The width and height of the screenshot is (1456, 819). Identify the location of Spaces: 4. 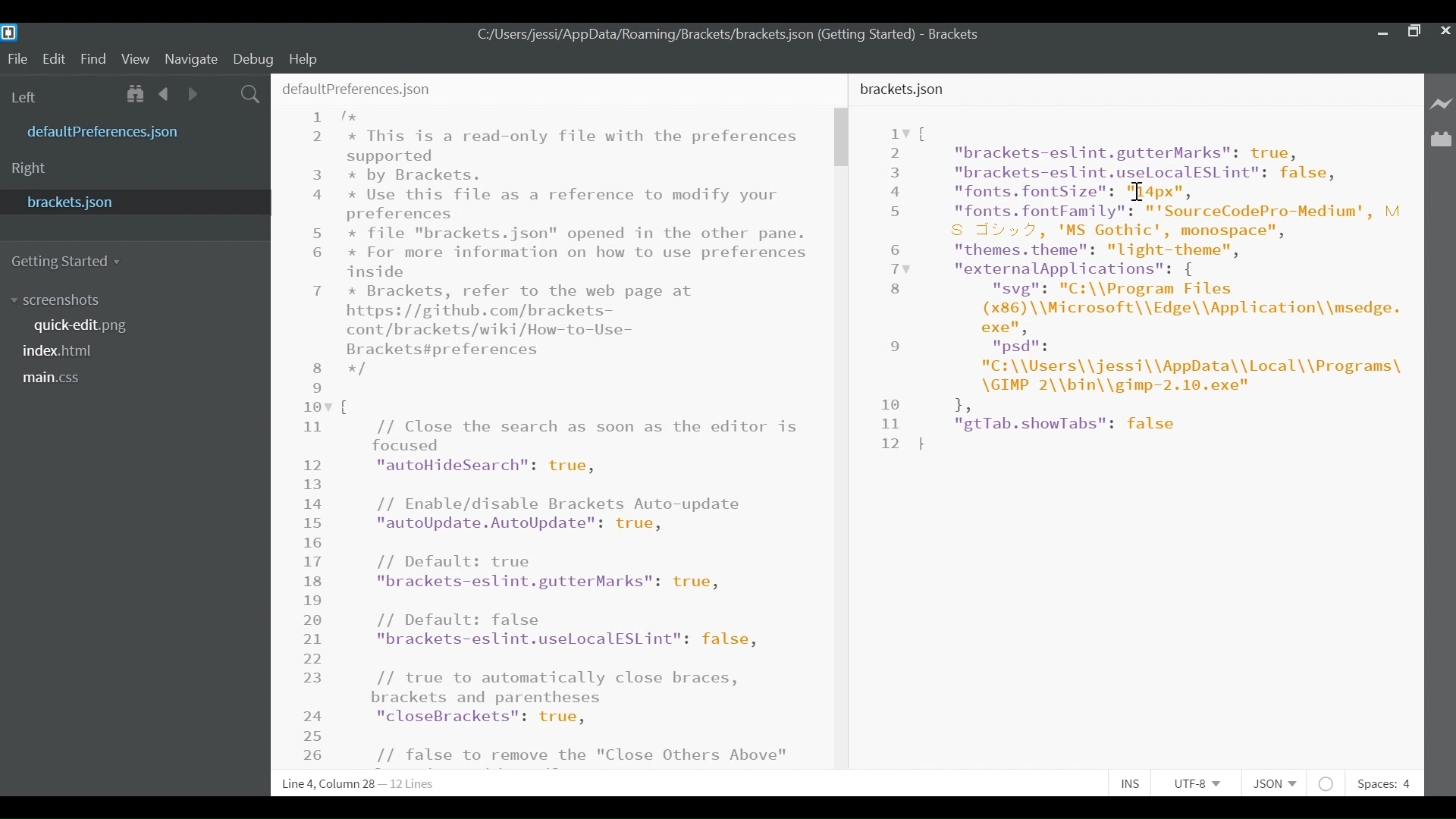
(1382, 783).